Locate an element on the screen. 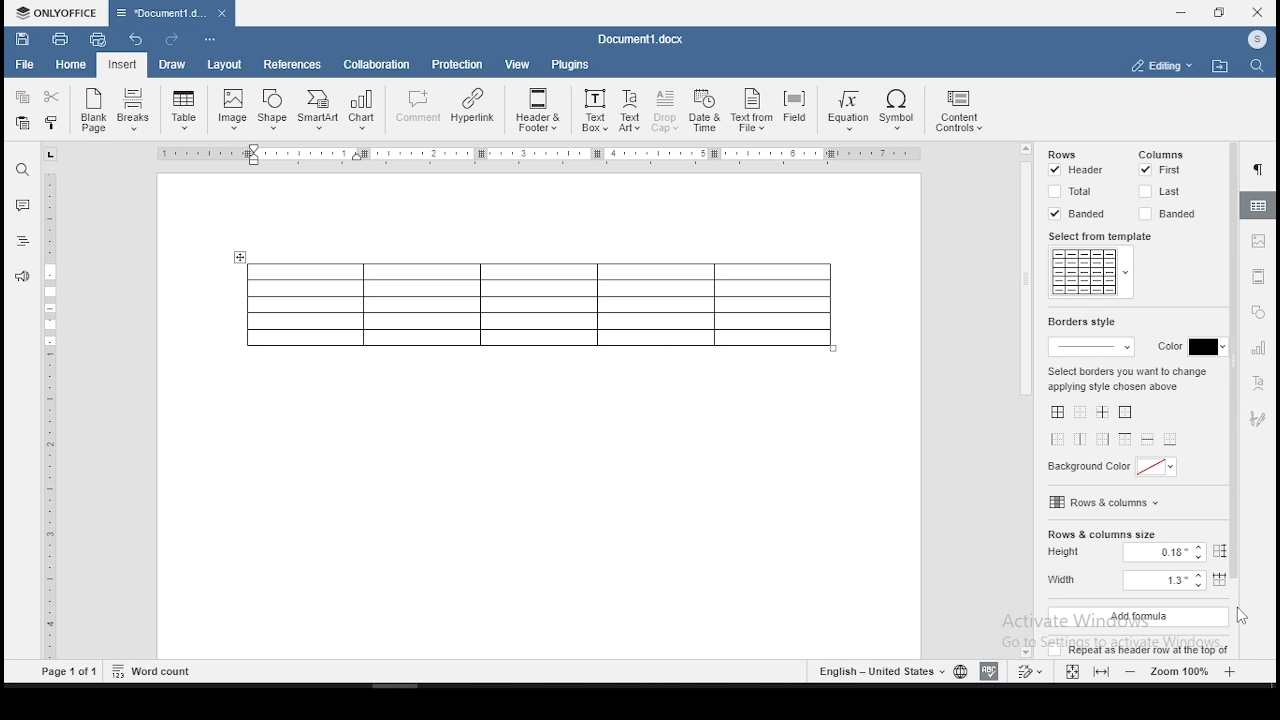  Shape is located at coordinates (274, 108).